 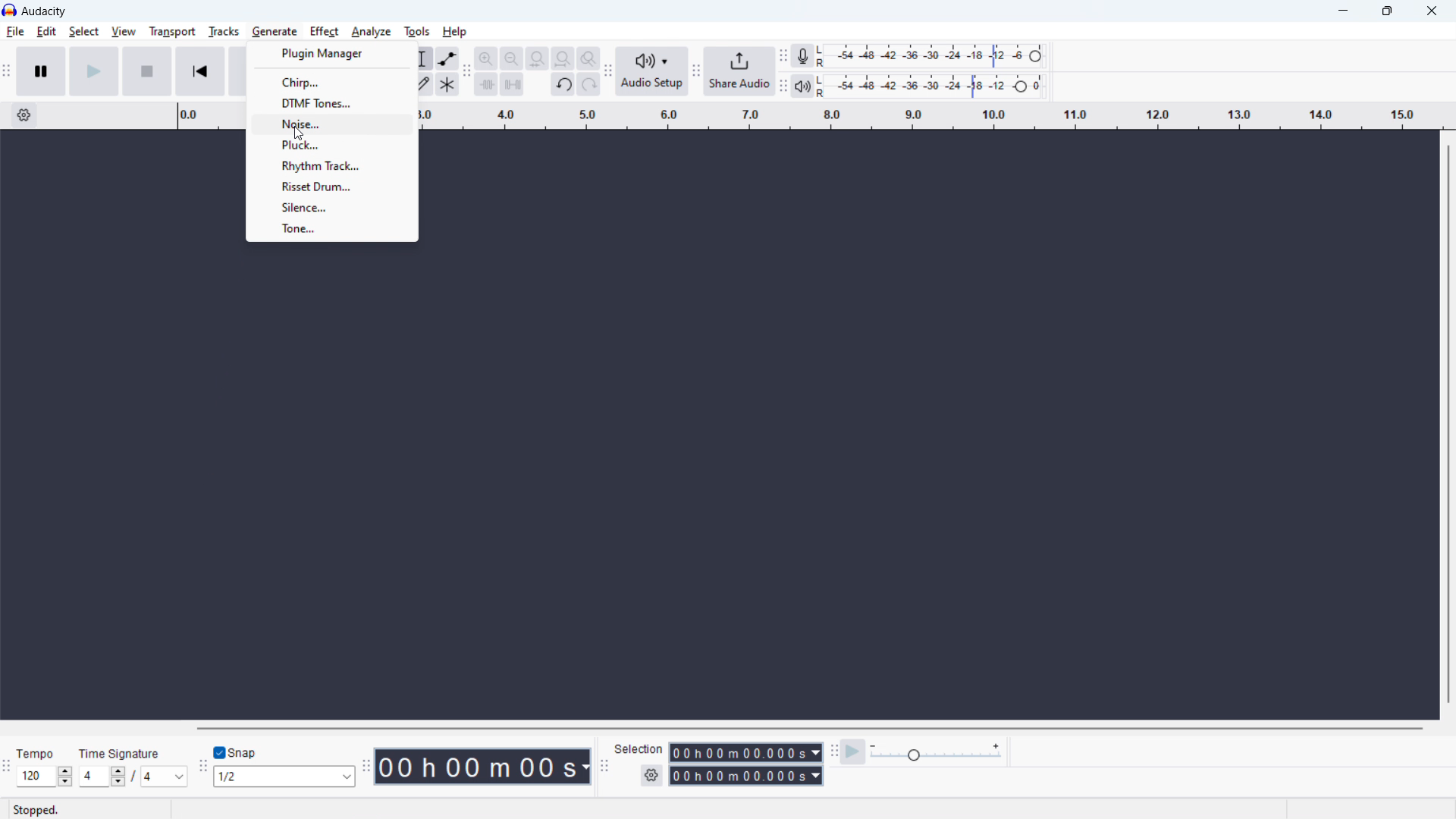 I want to click on playback meter , so click(x=802, y=86).